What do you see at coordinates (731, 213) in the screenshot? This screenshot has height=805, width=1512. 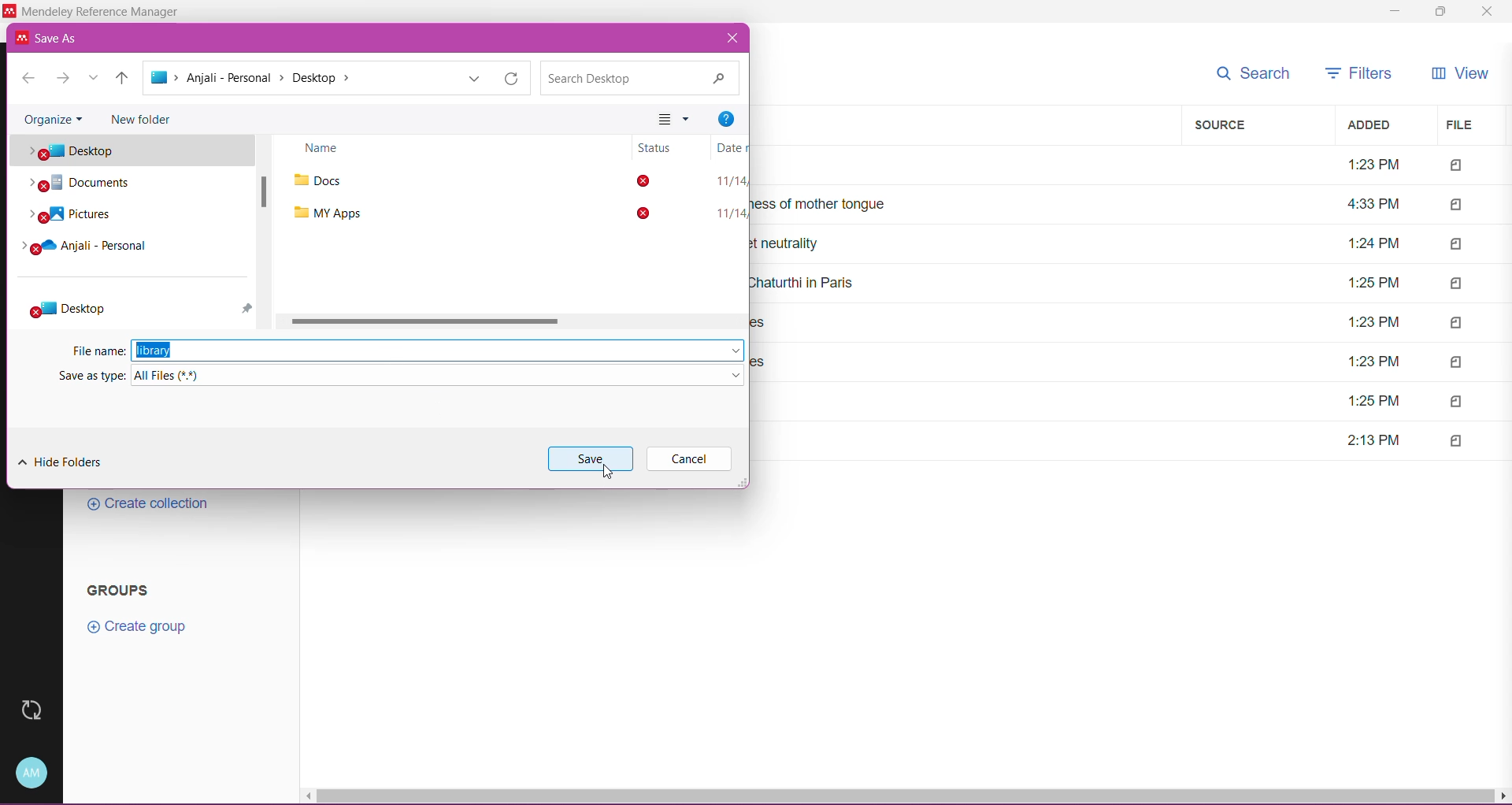 I see `11/14` at bounding box center [731, 213].